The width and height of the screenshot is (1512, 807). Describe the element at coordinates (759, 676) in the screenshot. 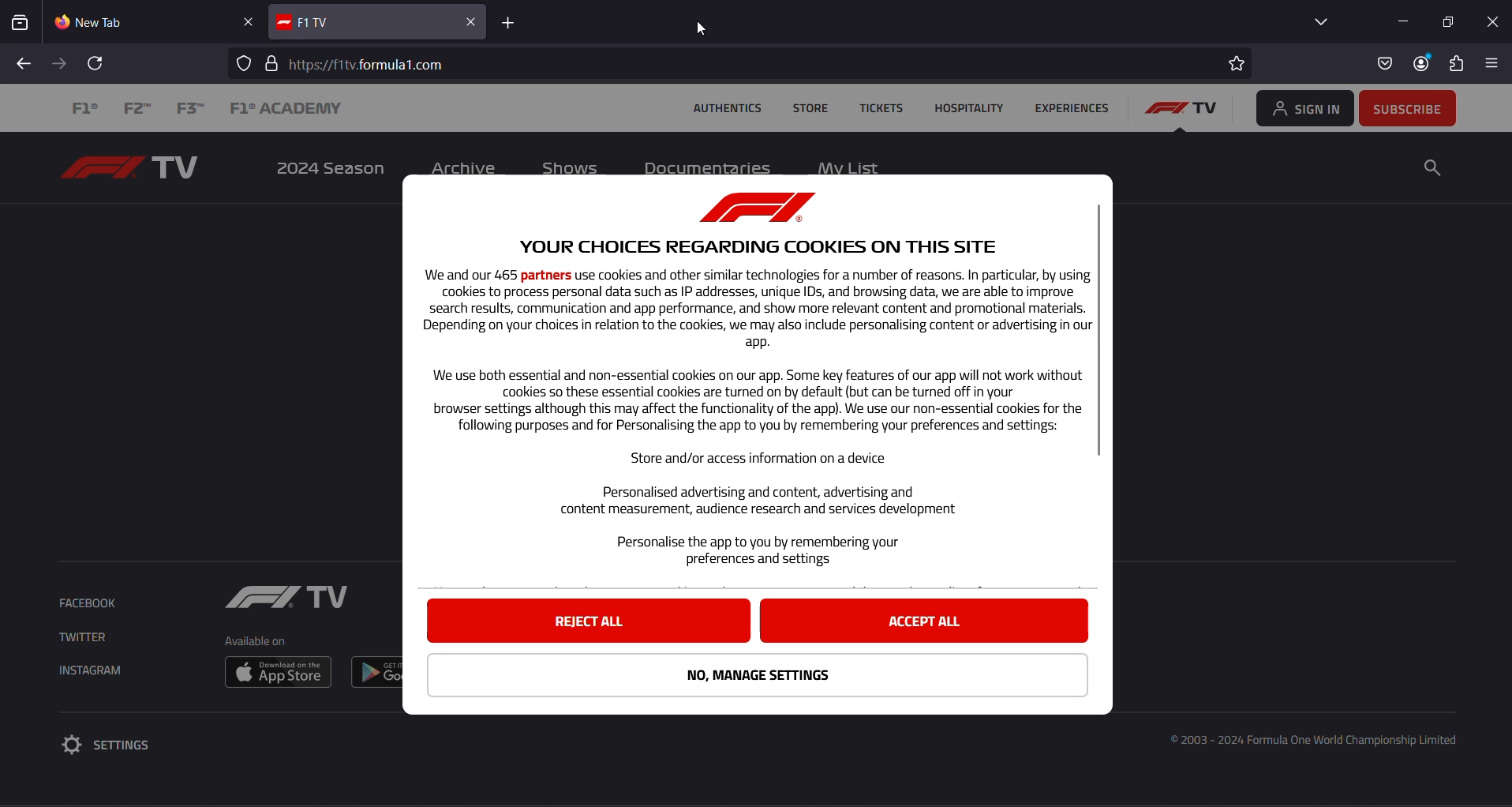

I see `no, manage settings` at that location.